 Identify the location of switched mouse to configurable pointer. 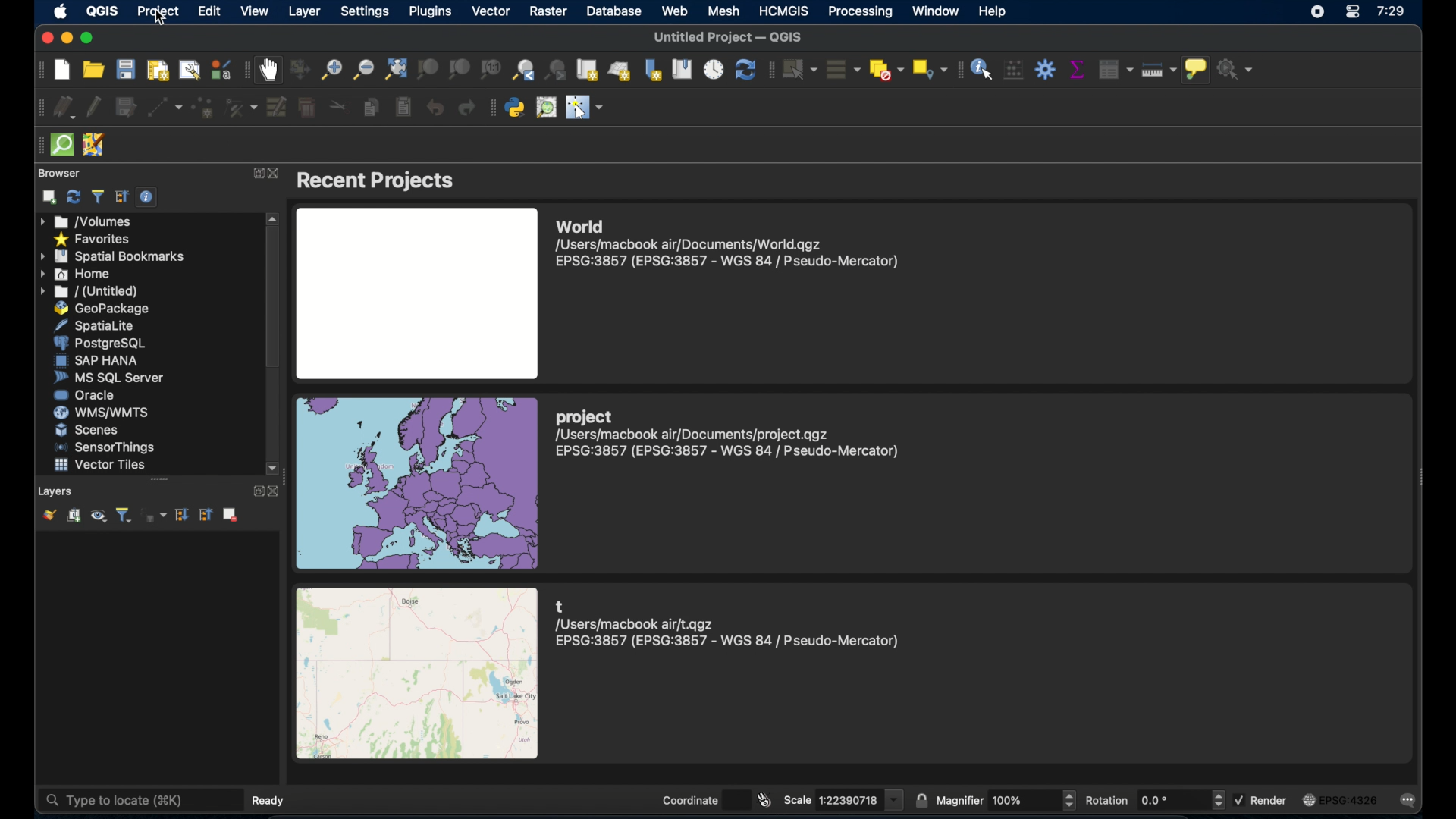
(585, 107).